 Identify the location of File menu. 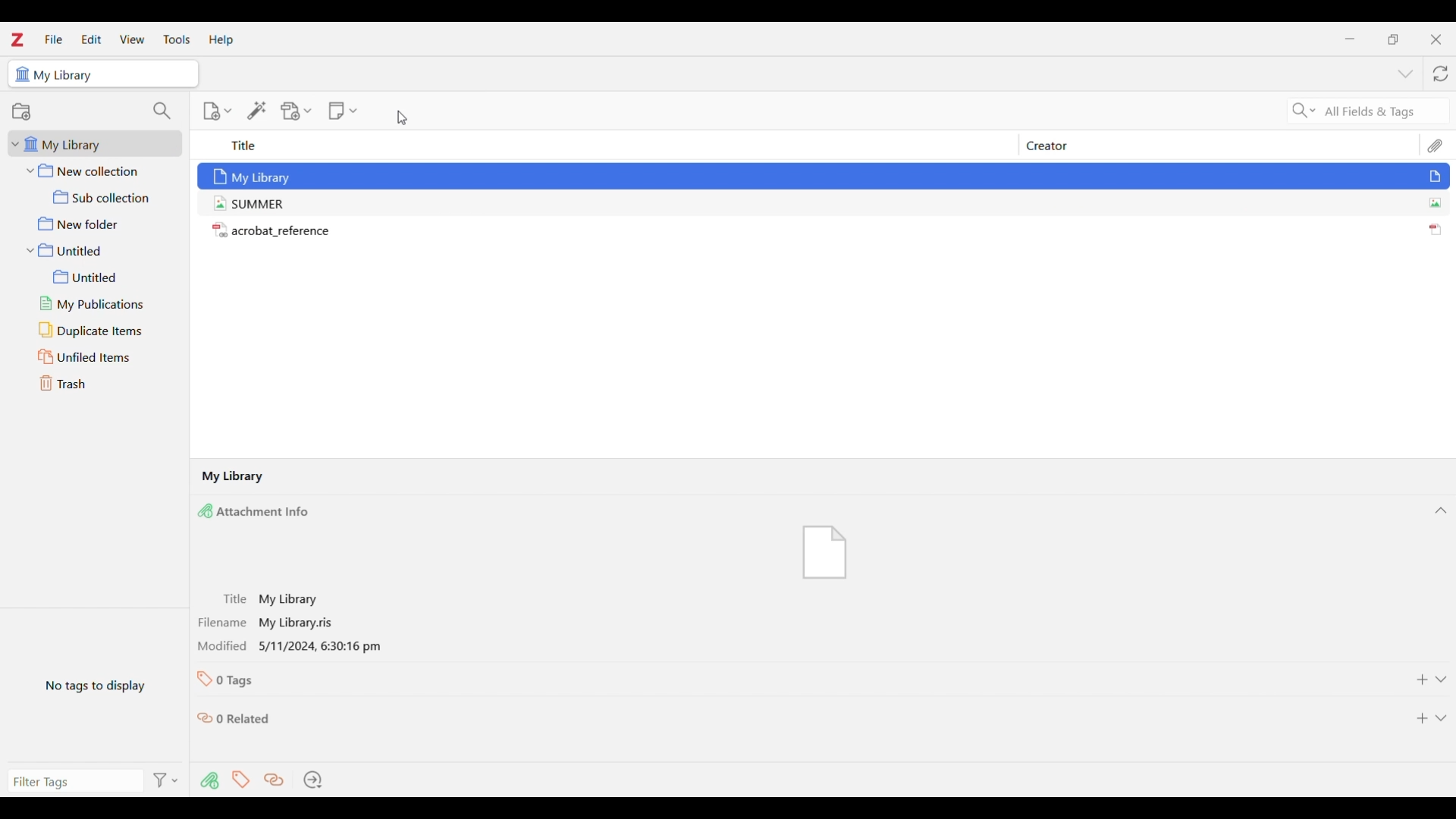
(54, 39).